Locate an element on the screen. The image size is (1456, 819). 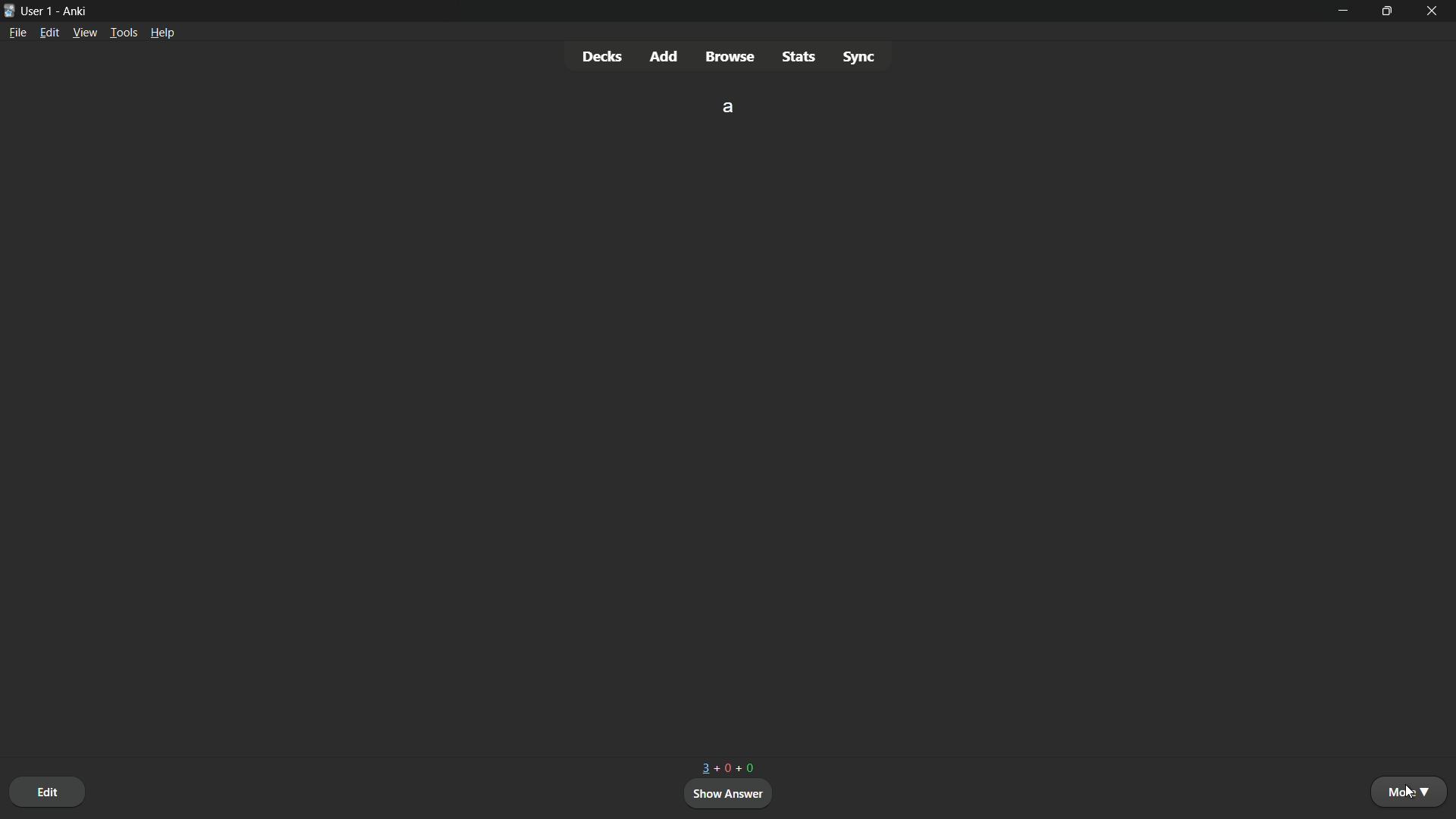
app name is located at coordinates (76, 12).